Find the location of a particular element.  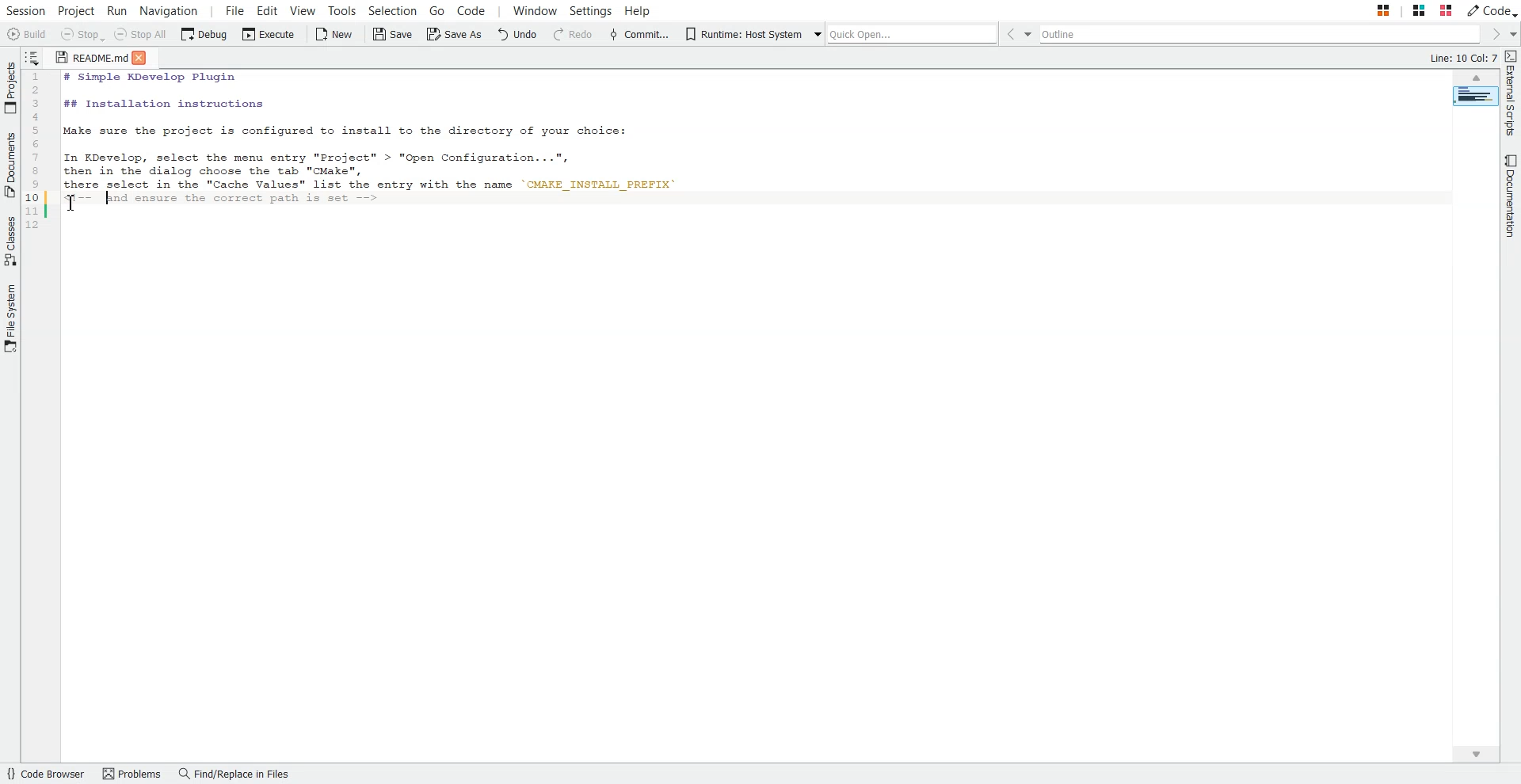

Classes is located at coordinates (10, 242).